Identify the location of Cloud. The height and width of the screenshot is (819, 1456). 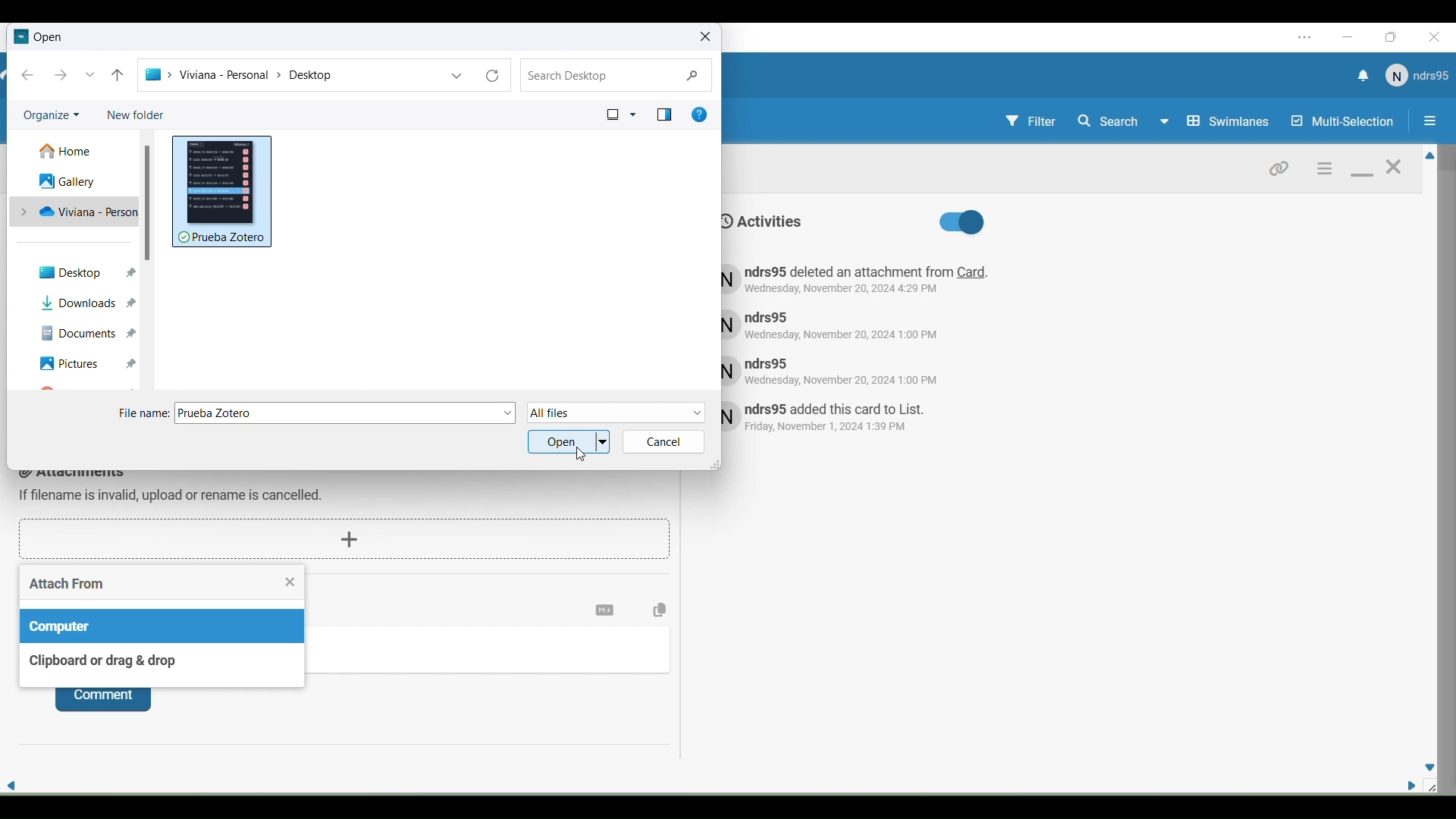
(78, 213).